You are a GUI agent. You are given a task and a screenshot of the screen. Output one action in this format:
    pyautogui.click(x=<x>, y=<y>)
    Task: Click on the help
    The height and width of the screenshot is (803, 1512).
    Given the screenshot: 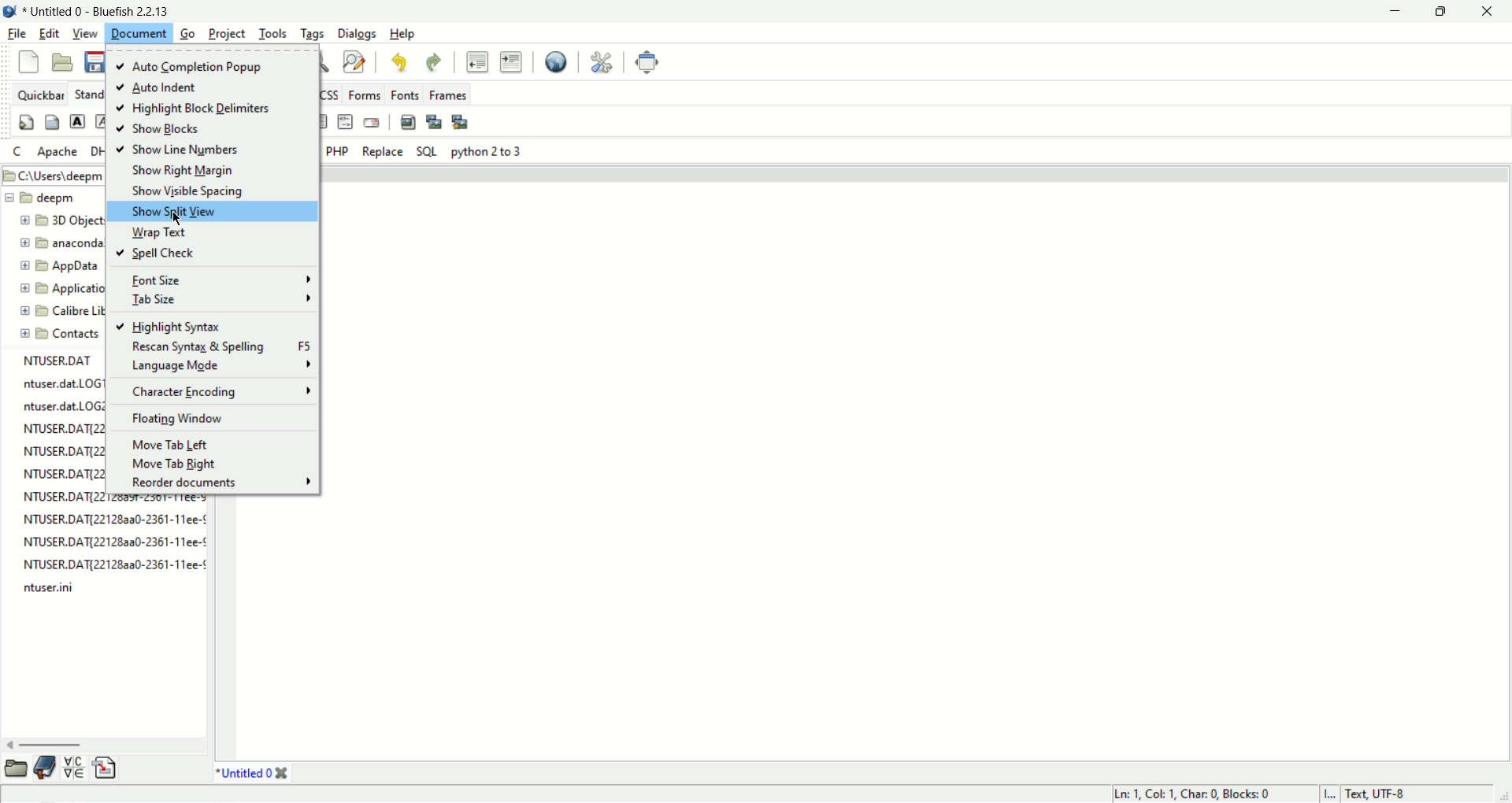 What is the action you would take?
    pyautogui.click(x=402, y=33)
    